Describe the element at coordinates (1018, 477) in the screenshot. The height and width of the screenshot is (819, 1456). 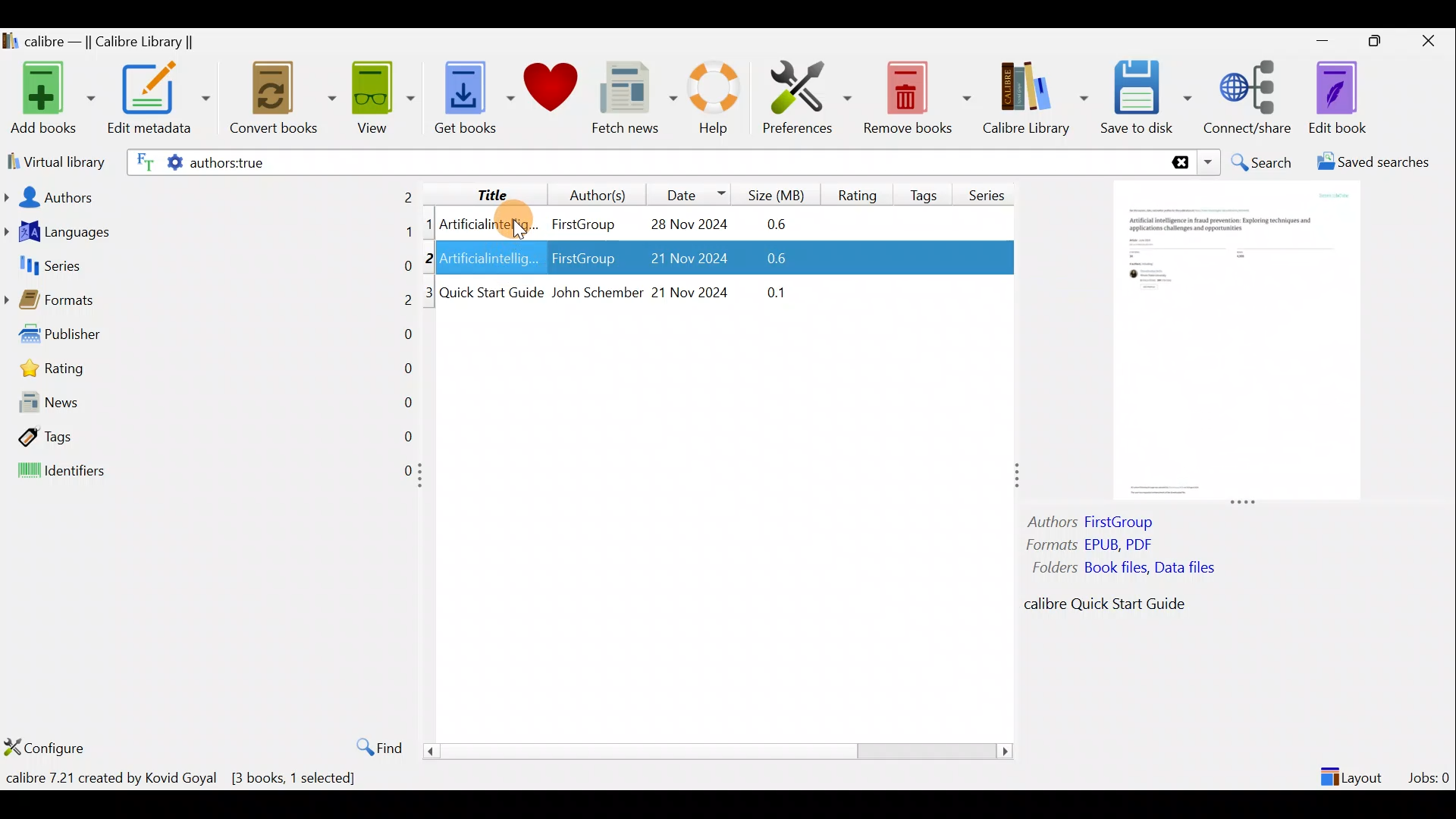
I see `Adjust column to the right` at that location.